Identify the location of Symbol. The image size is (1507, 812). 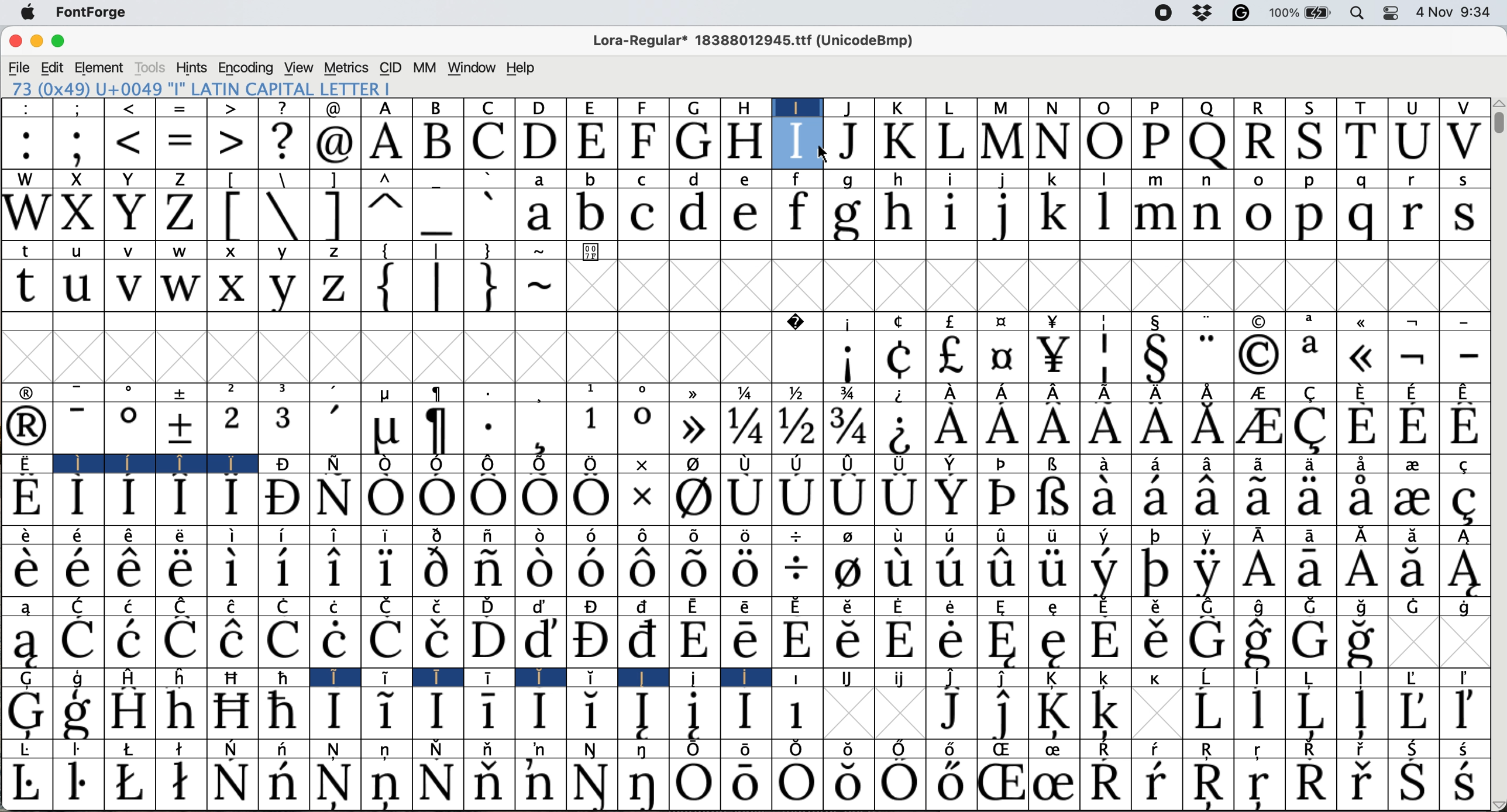
(541, 500).